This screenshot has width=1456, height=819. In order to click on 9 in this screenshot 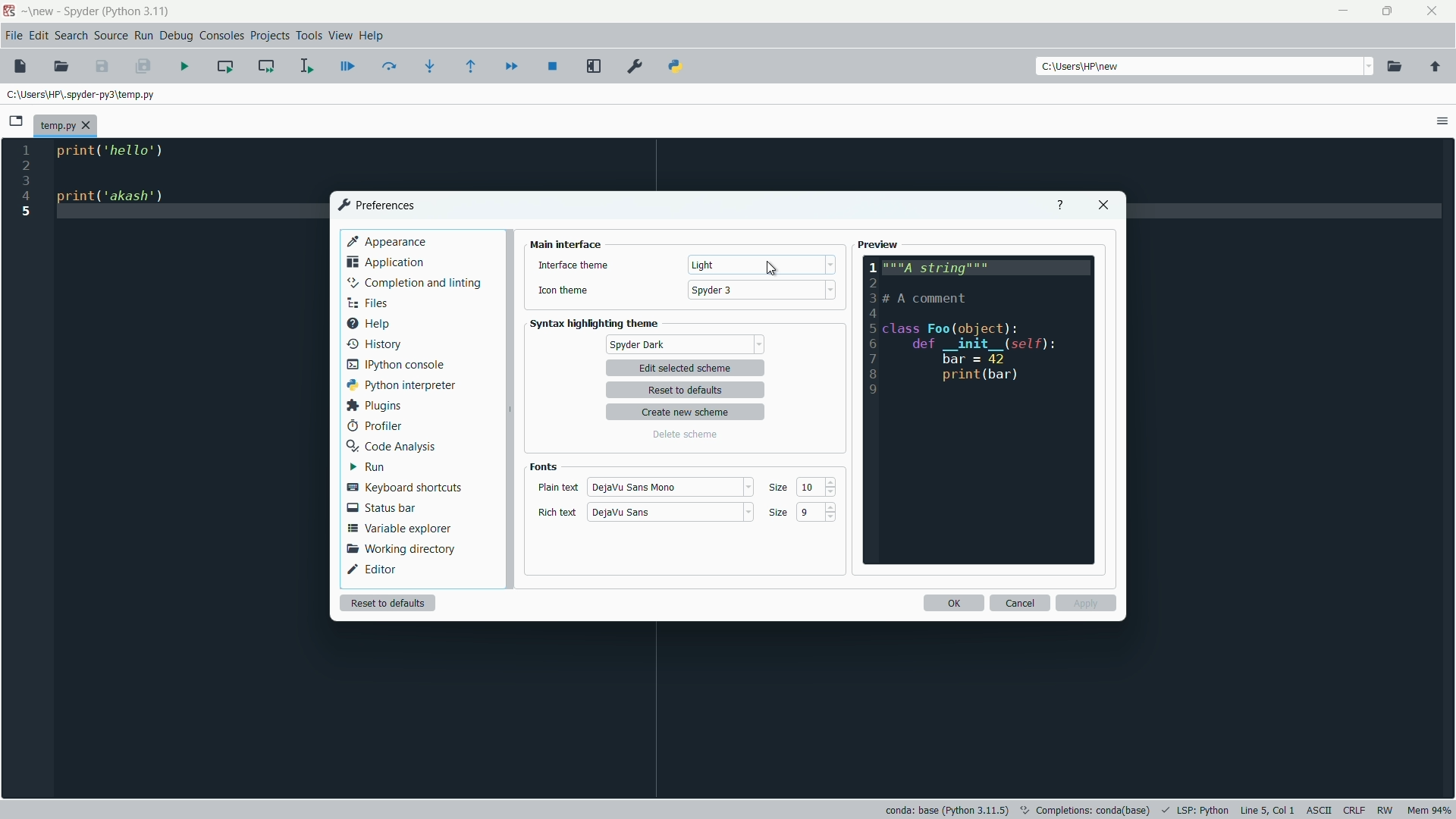, I will do `click(809, 513)`.